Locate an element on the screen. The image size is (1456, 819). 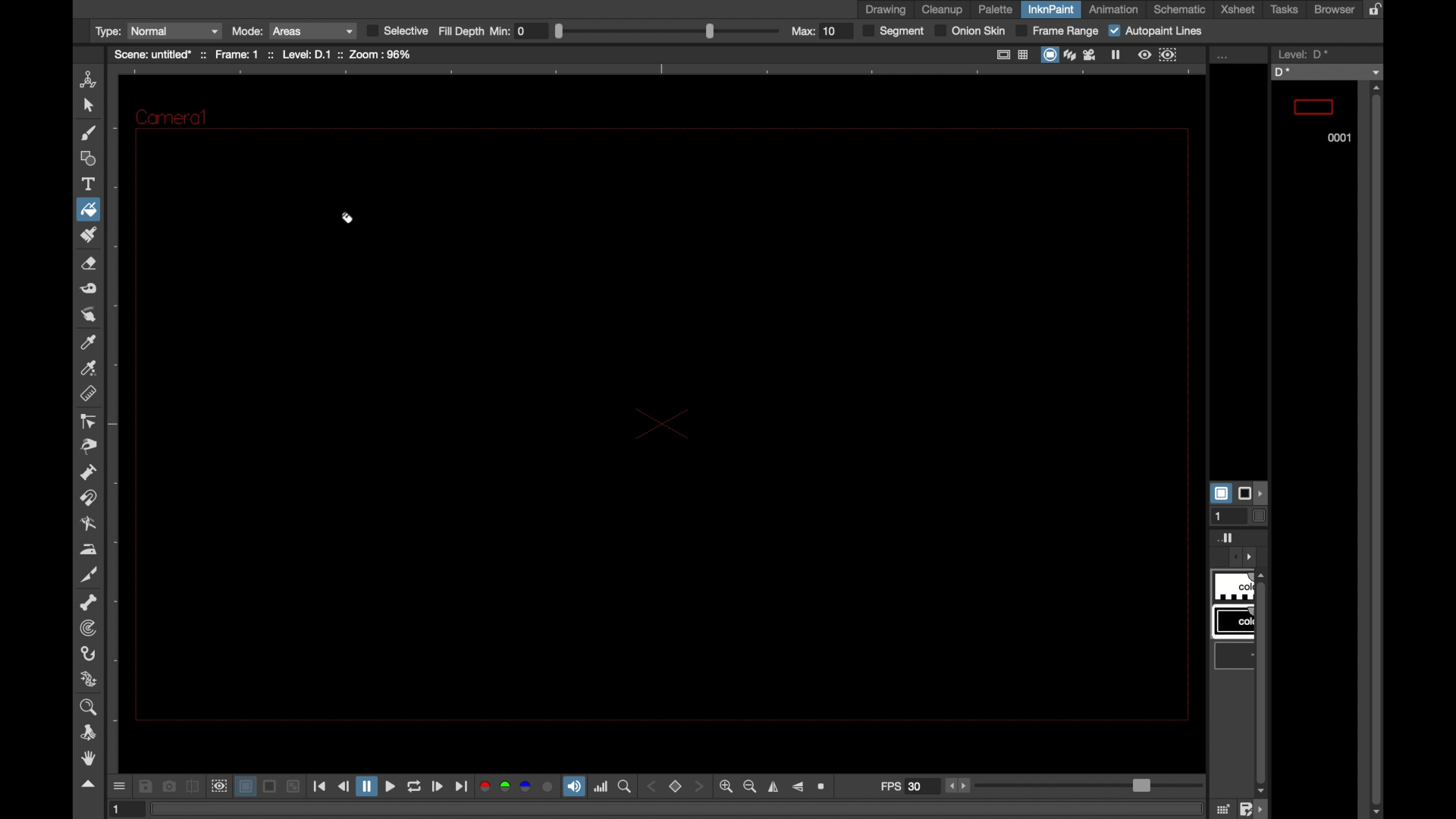
hook tool is located at coordinates (87, 654).